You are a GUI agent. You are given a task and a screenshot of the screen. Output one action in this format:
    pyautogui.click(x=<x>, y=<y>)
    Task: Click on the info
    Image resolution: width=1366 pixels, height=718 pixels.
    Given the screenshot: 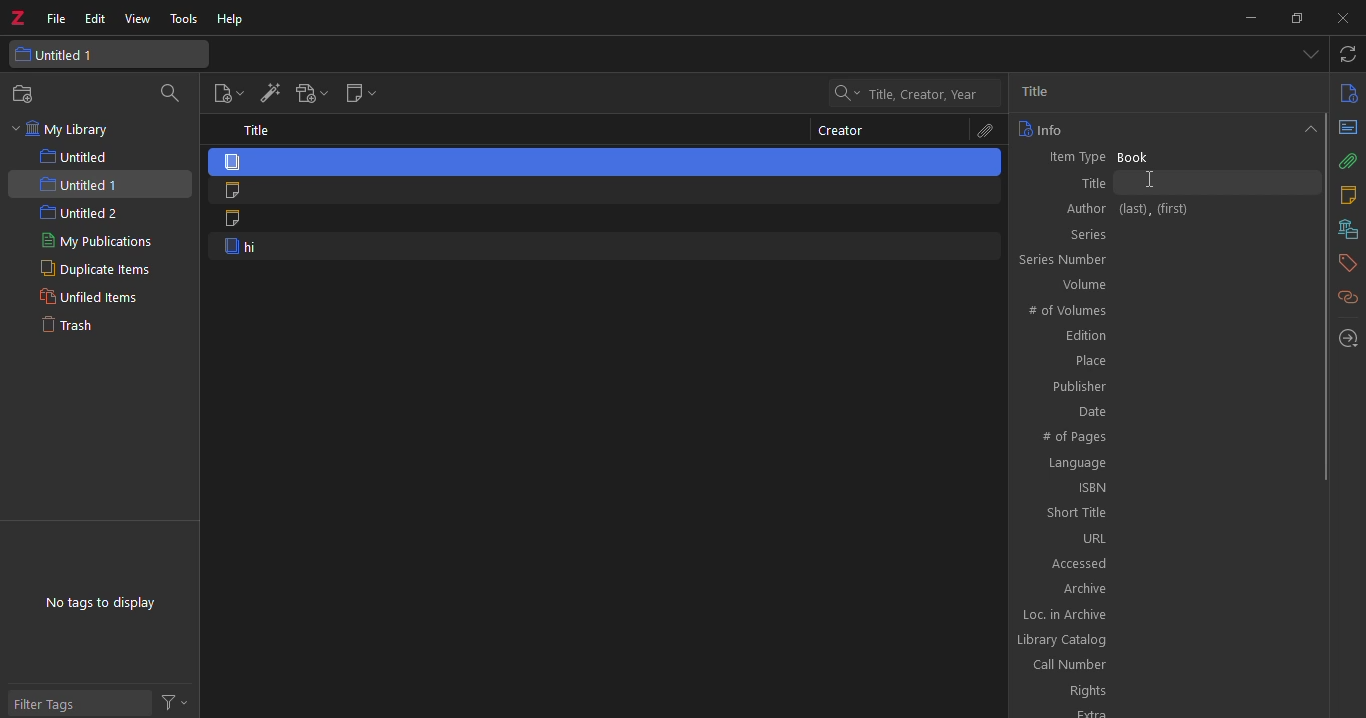 What is the action you would take?
    pyautogui.click(x=1346, y=94)
    